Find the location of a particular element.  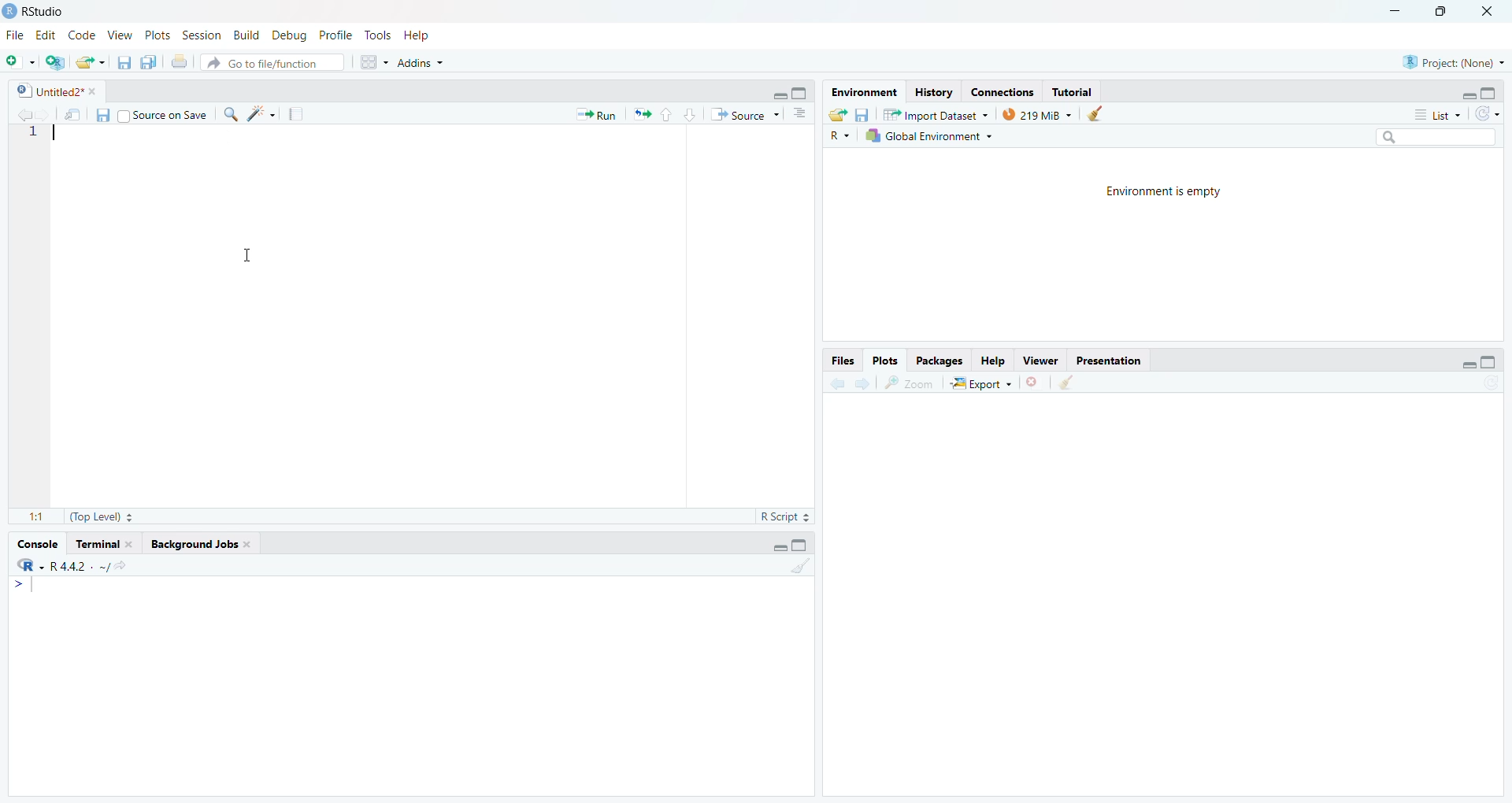

Compile report is located at coordinates (296, 113).